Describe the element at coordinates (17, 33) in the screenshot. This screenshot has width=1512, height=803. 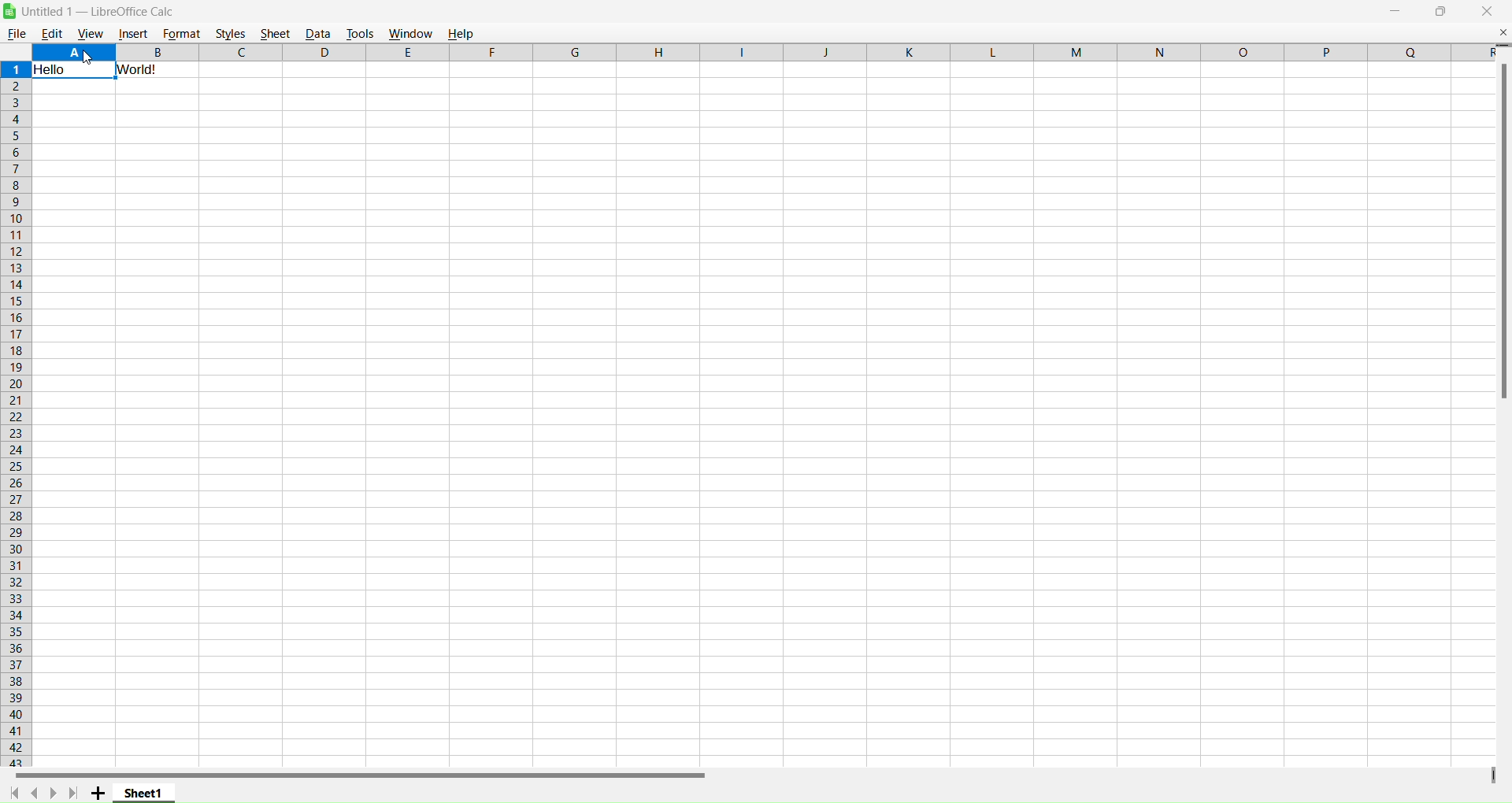
I see `File` at that location.